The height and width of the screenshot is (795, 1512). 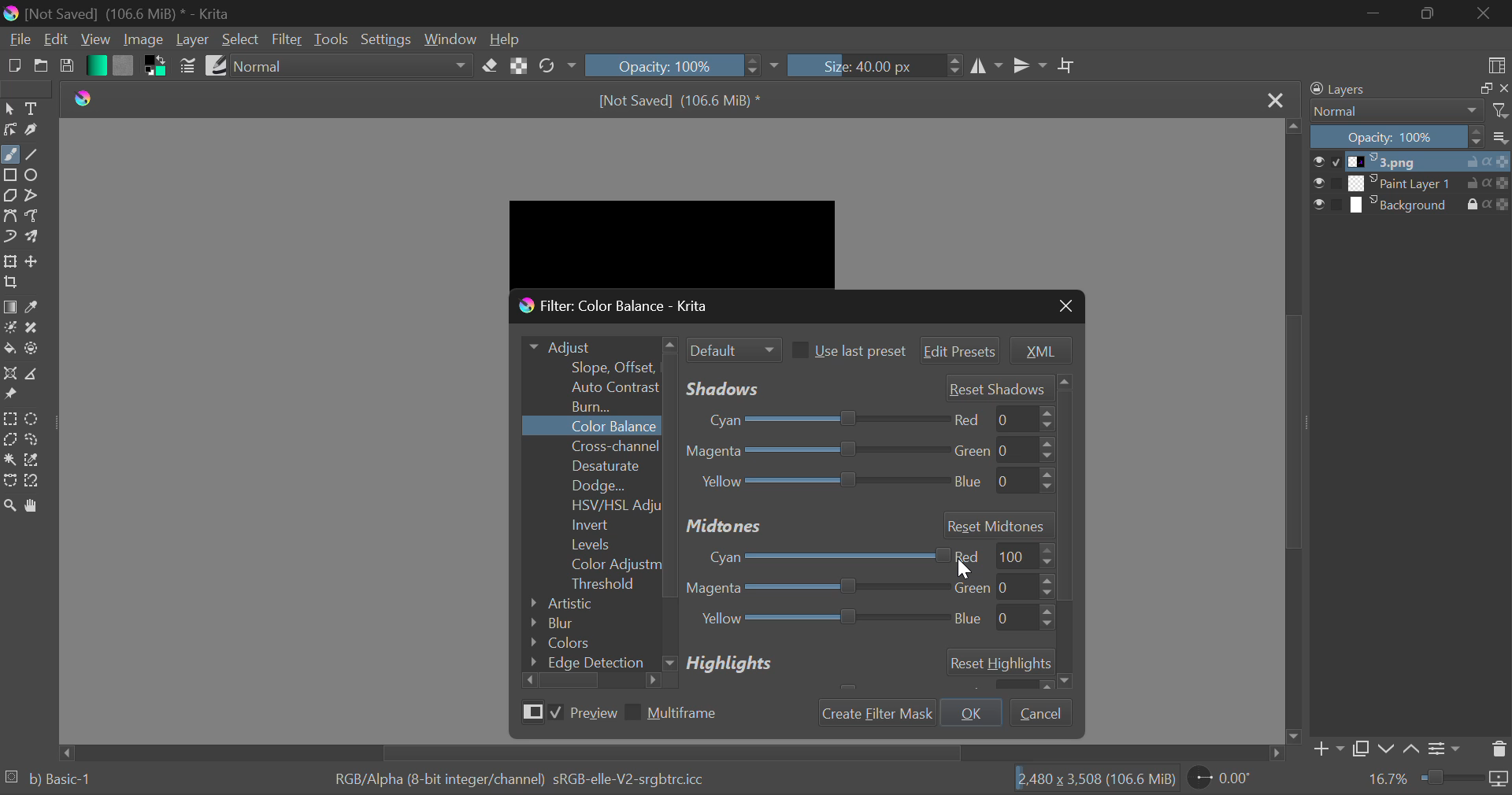 What do you see at coordinates (973, 712) in the screenshot?
I see `OK` at bounding box center [973, 712].